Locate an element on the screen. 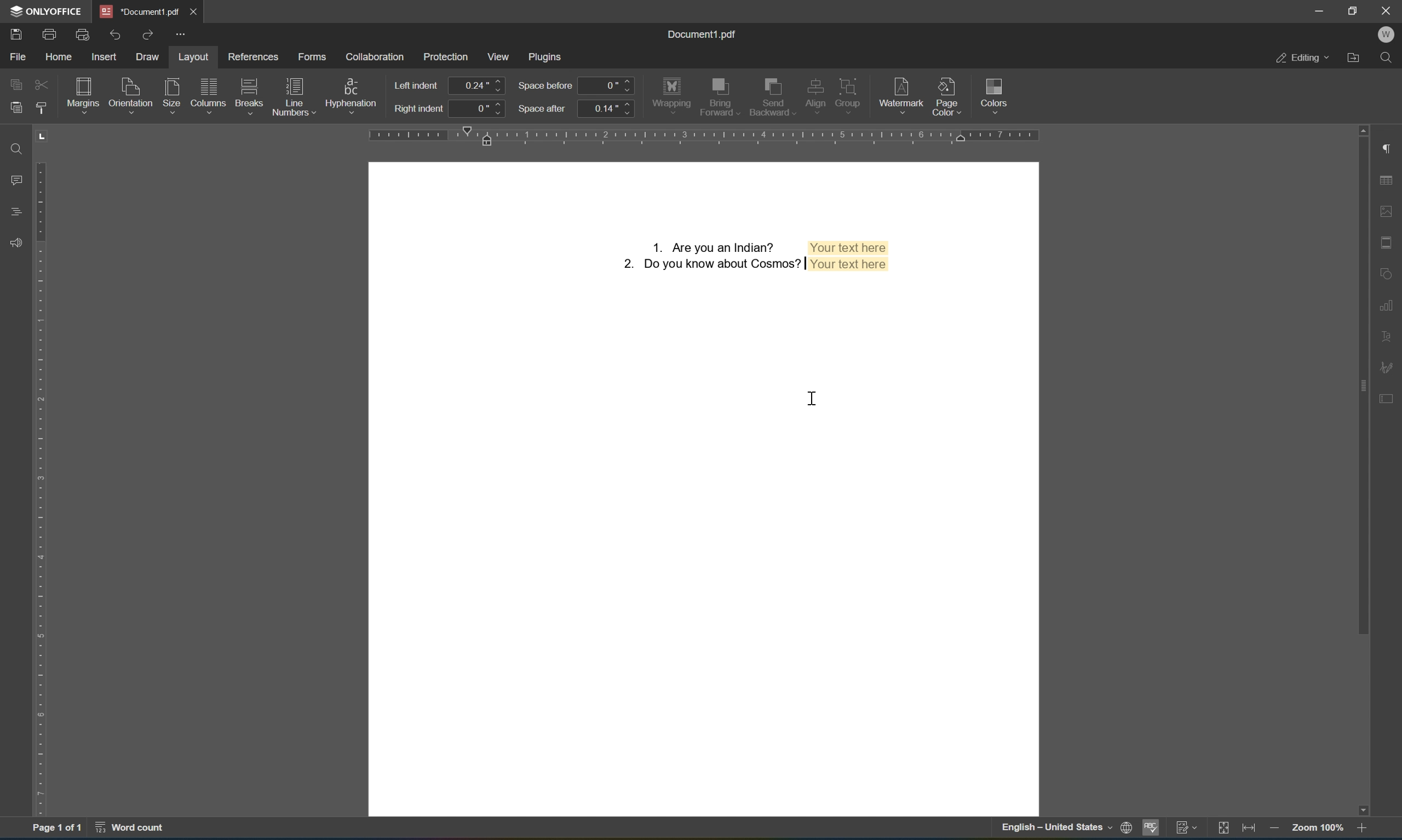  close is located at coordinates (194, 10).